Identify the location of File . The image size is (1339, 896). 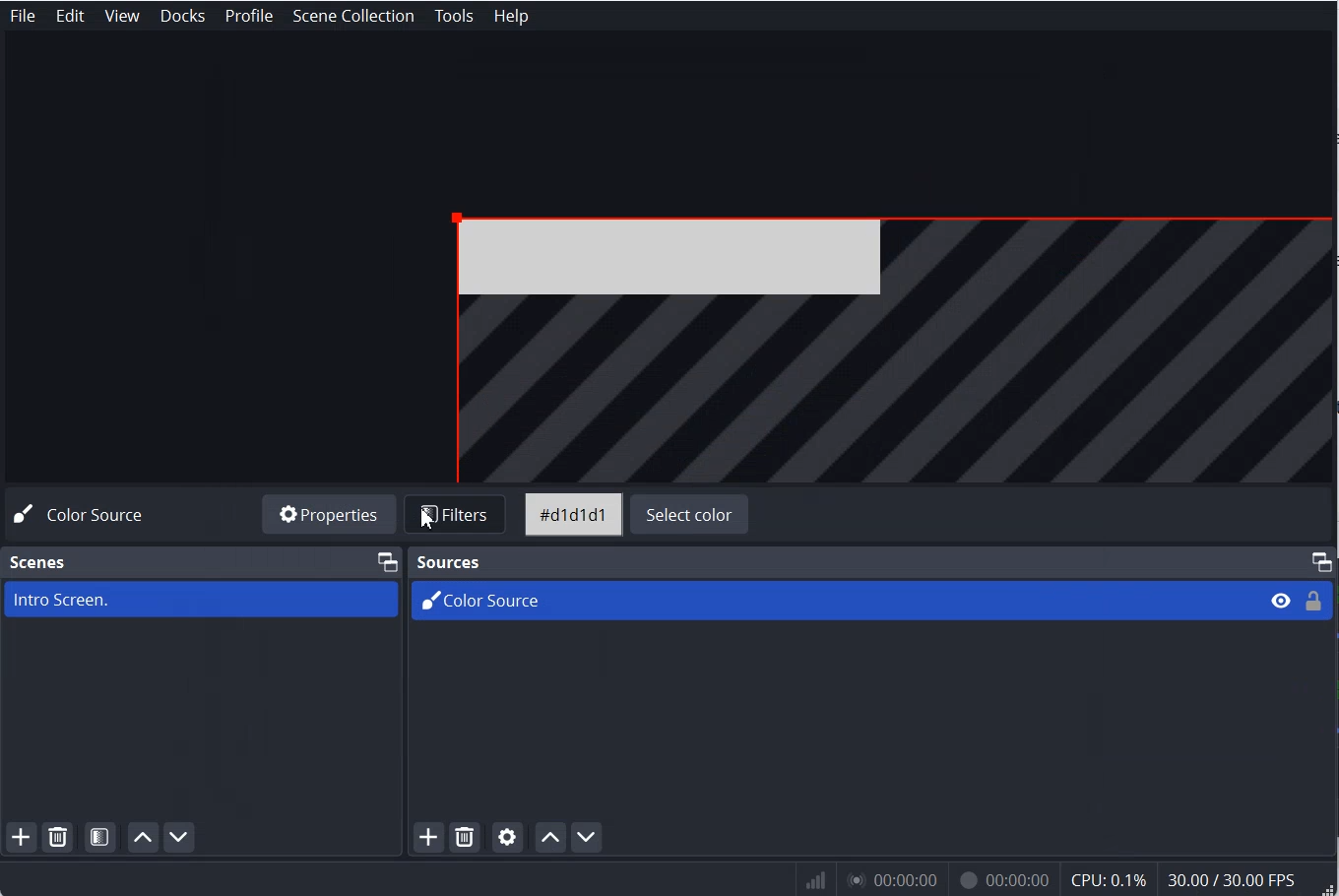
(894, 345).